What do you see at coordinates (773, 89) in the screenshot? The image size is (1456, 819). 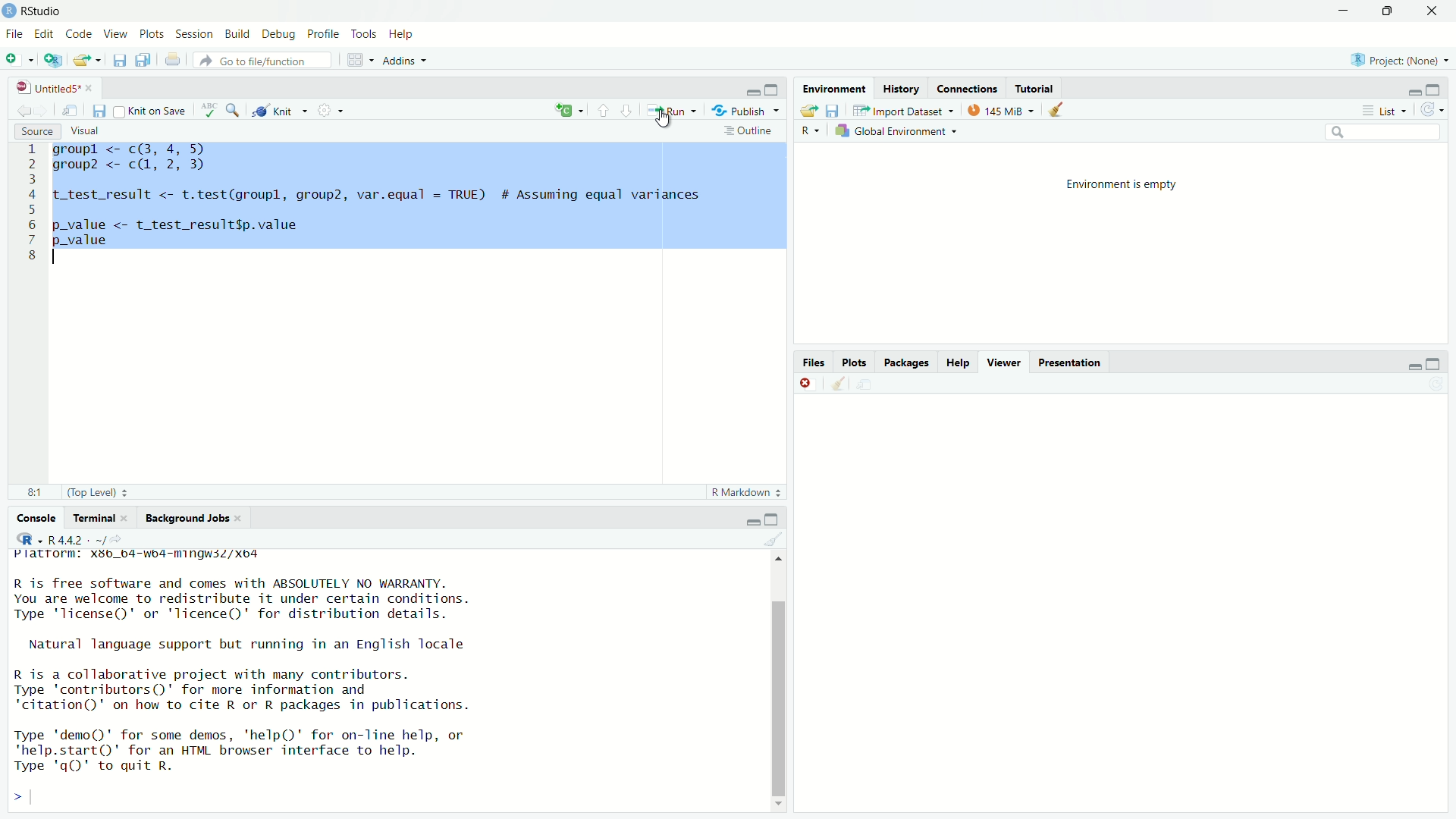 I see `maximise` at bounding box center [773, 89].